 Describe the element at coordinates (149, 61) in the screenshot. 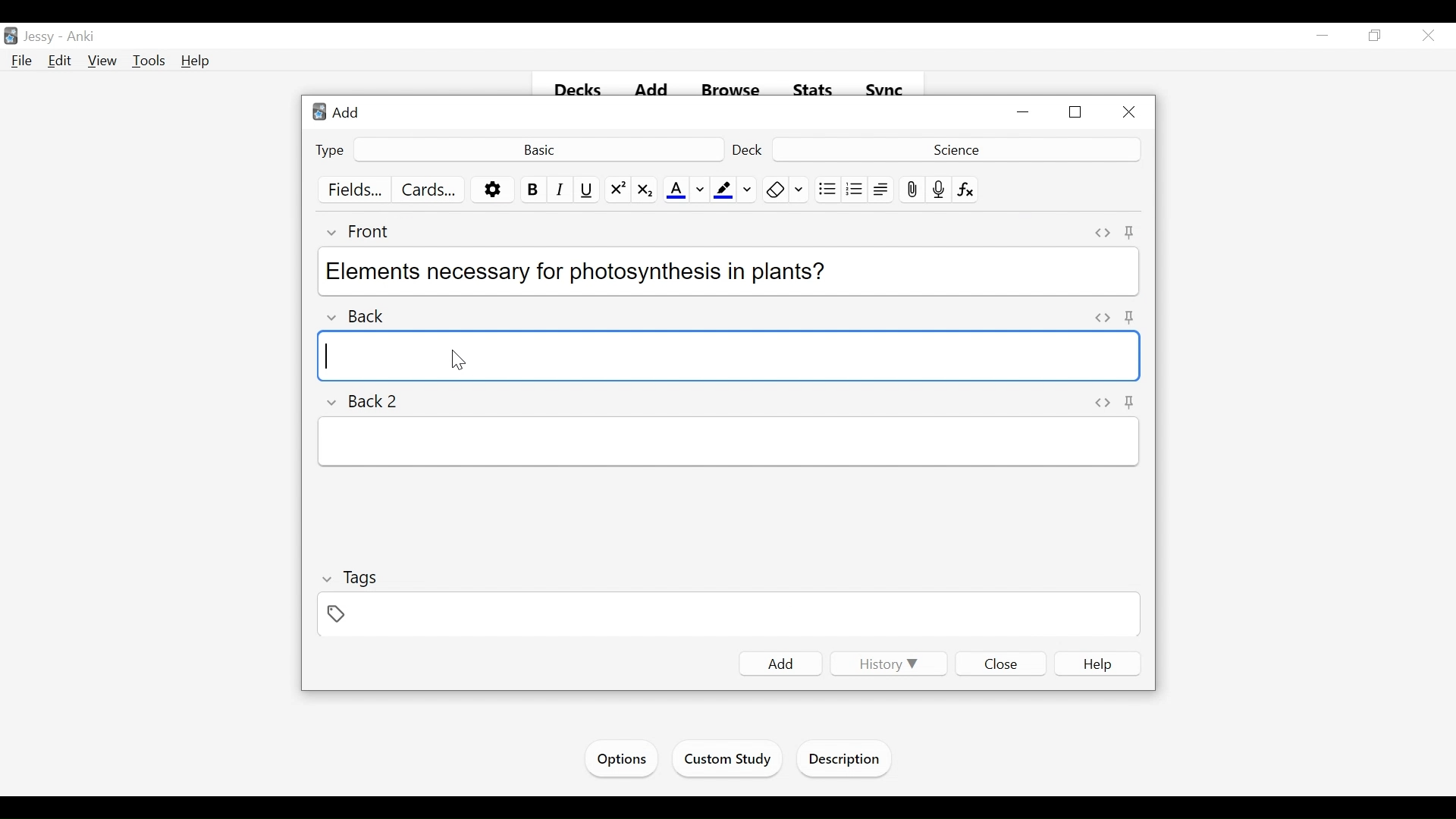

I see `Tools` at that location.